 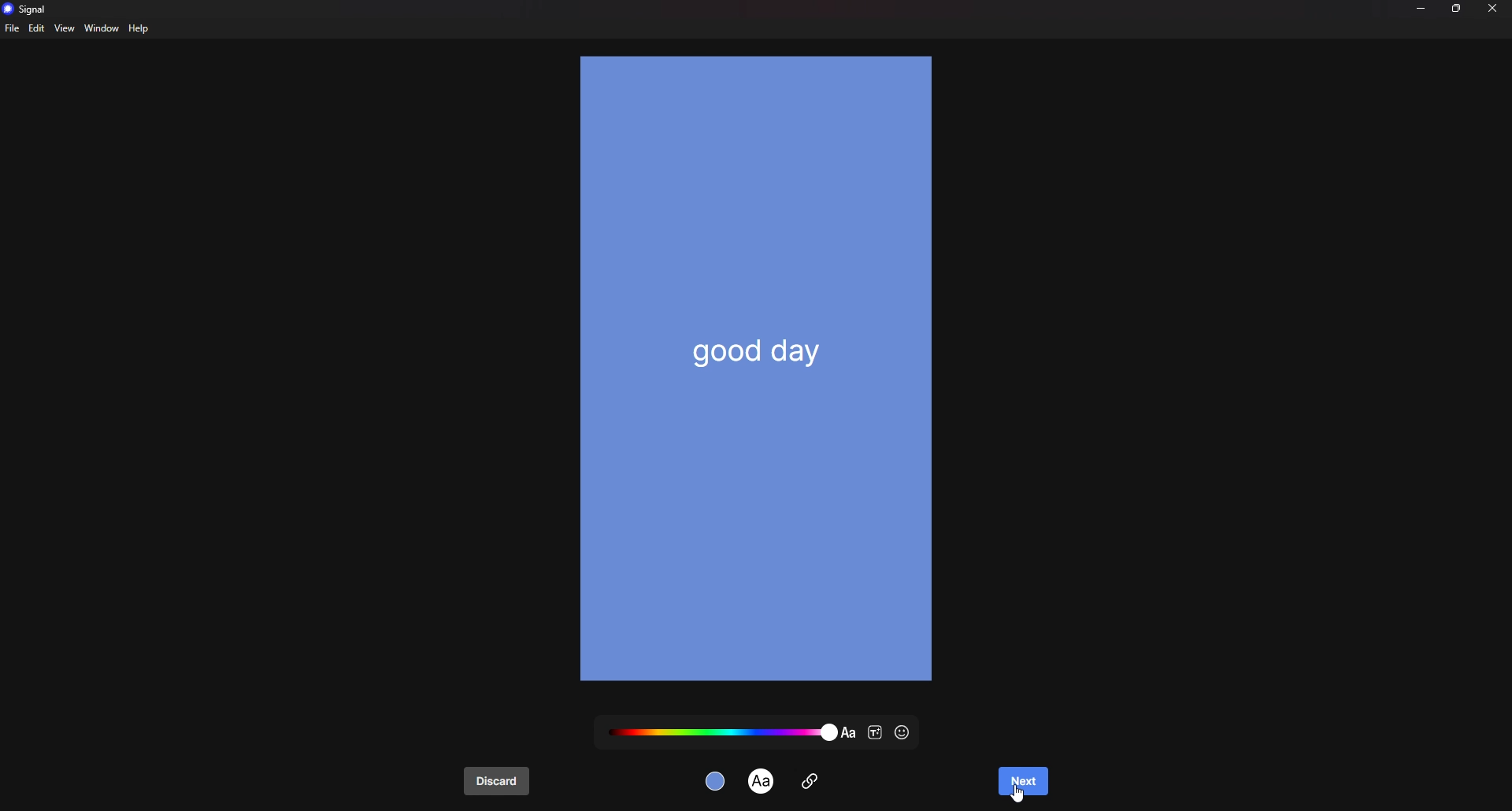 I want to click on attachment, so click(x=810, y=780).